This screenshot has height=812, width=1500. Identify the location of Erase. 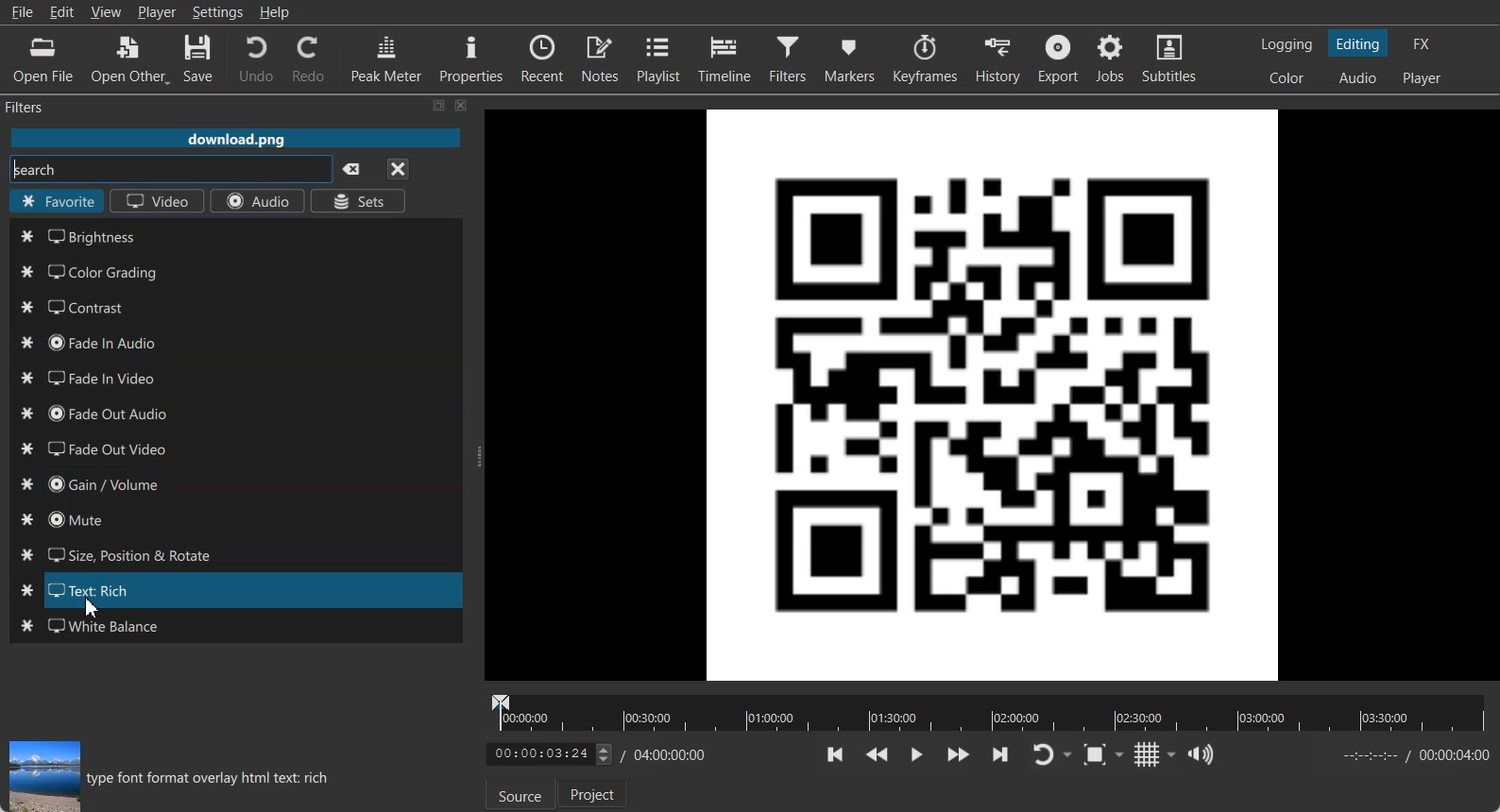
(351, 168).